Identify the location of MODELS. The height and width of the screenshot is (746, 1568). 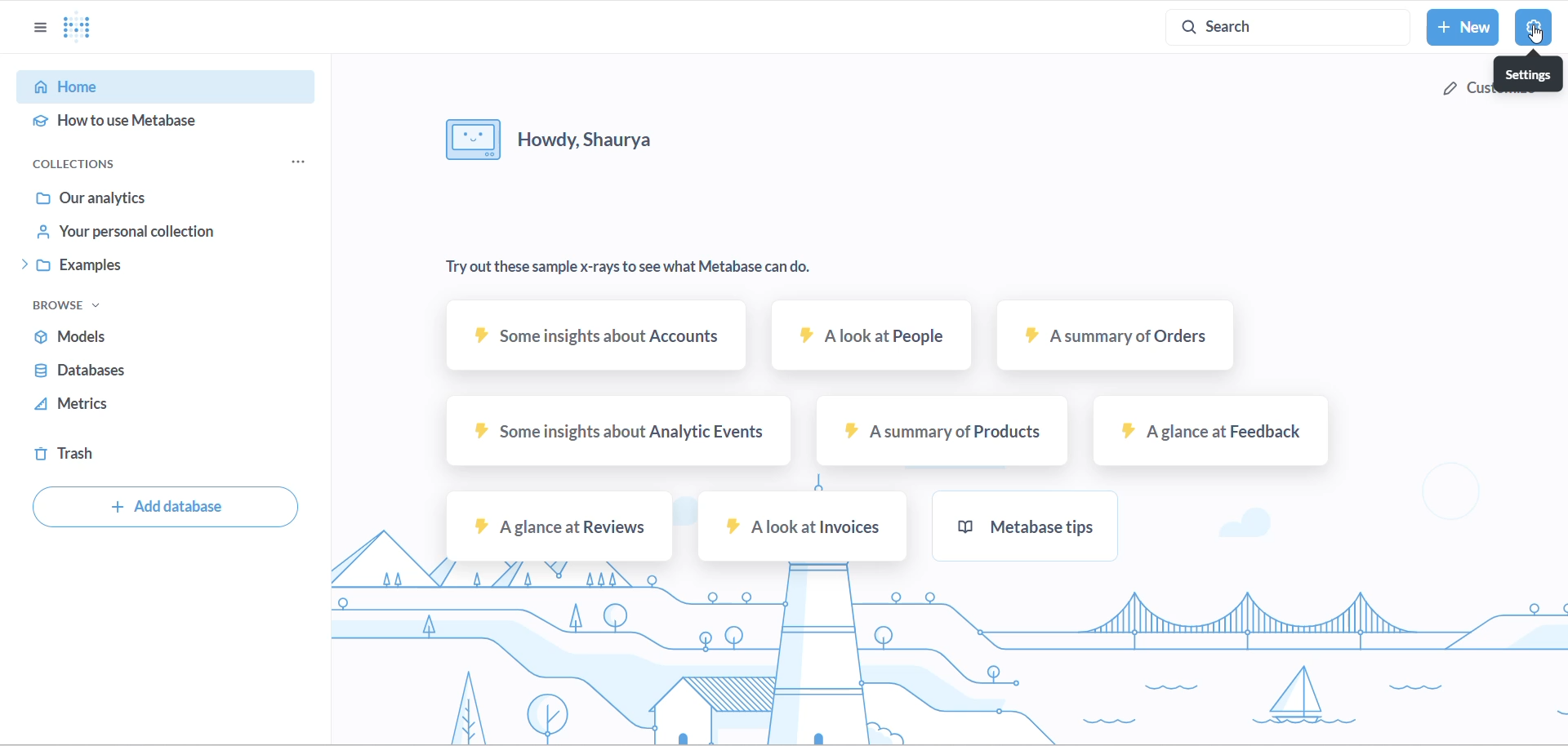
(125, 340).